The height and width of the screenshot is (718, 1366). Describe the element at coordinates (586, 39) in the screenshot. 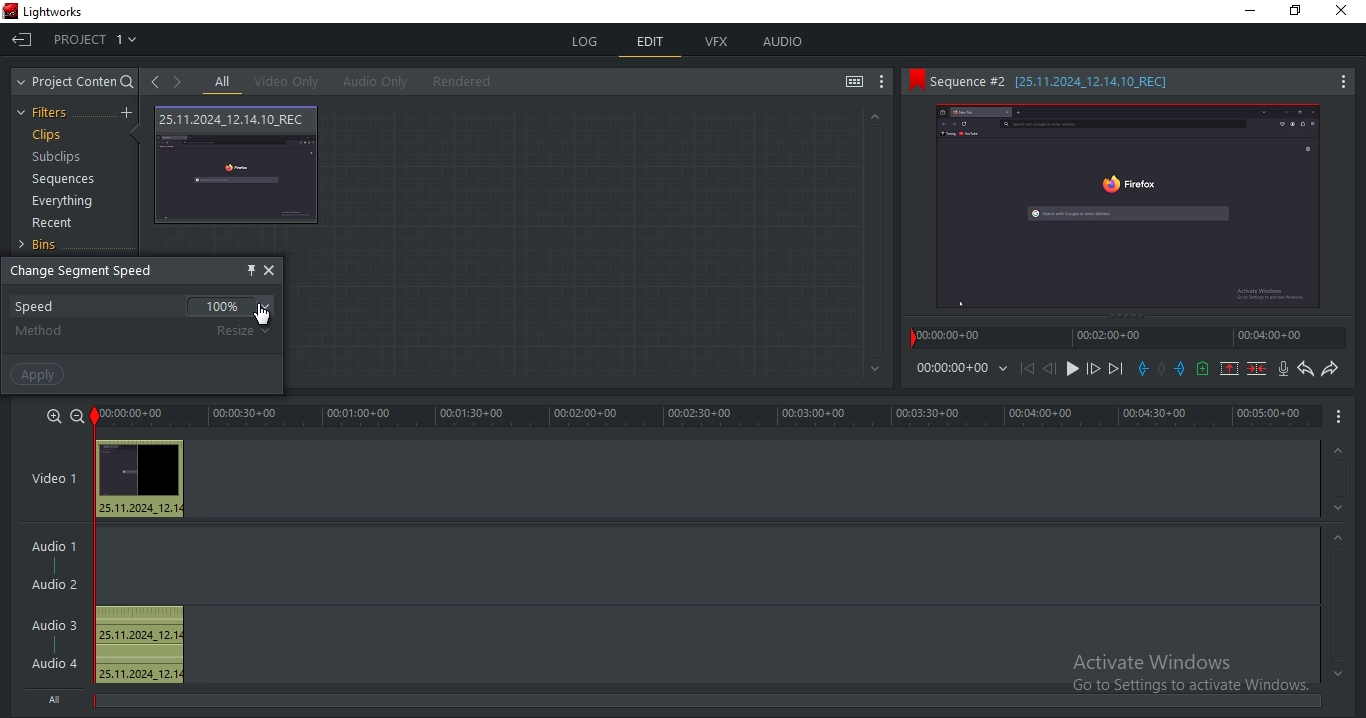

I see `log` at that location.